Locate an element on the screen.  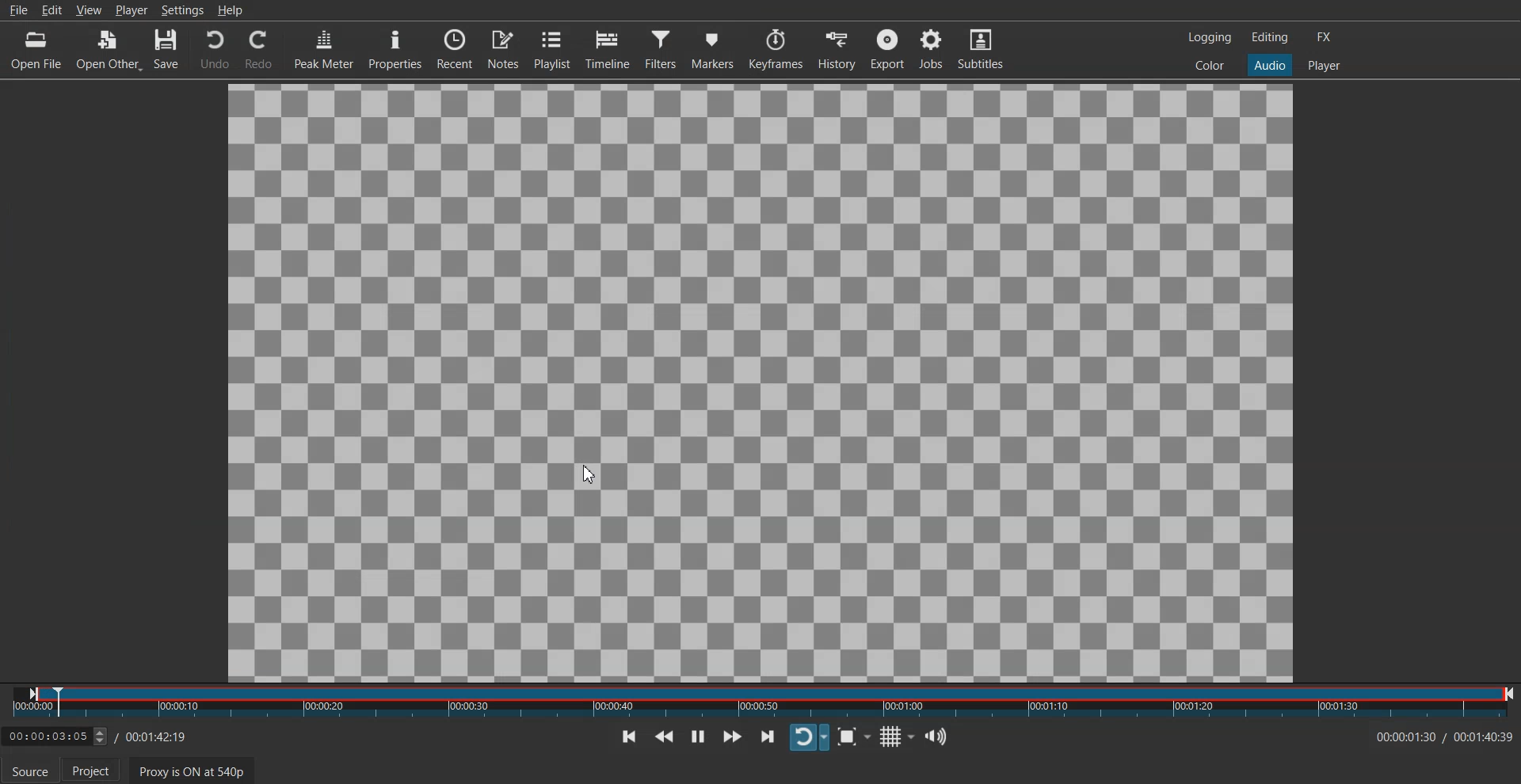
Player is located at coordinates (131, 10).